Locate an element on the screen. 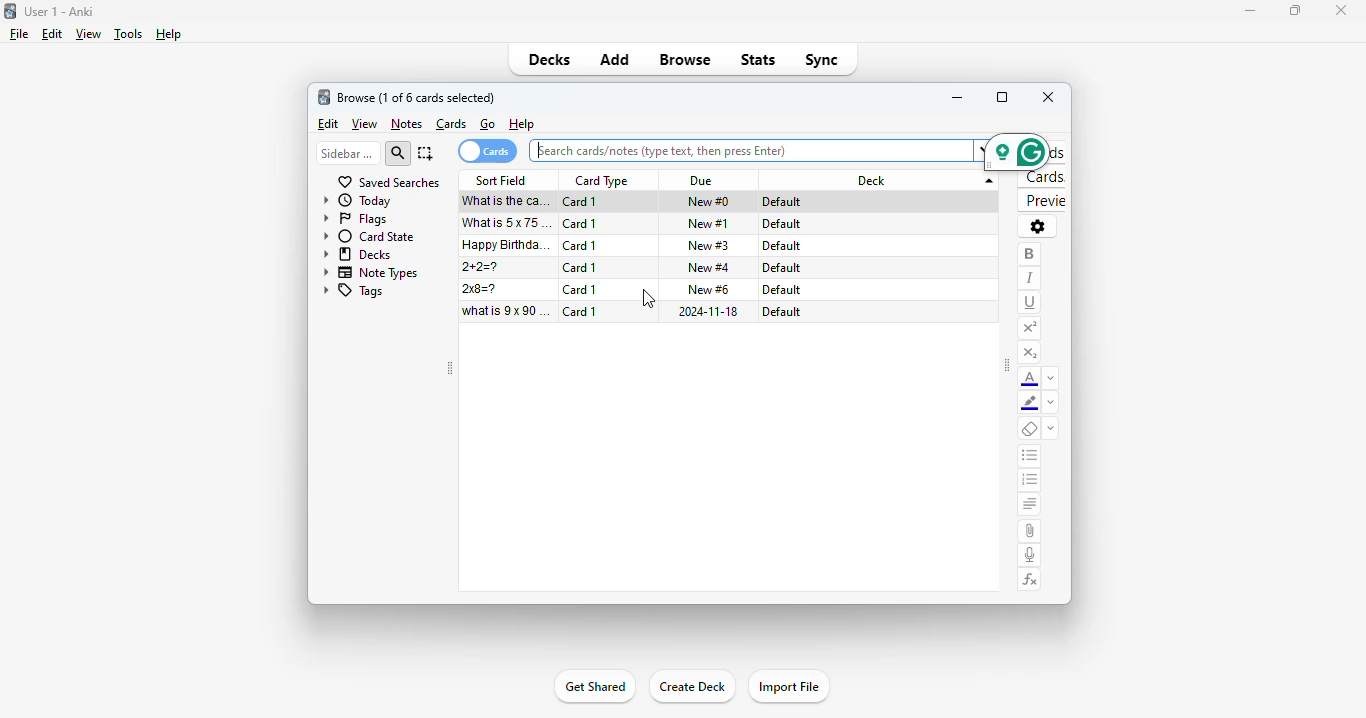 This screenshot has height=718, width=1366. preview is located at coordinates (1042, 201).